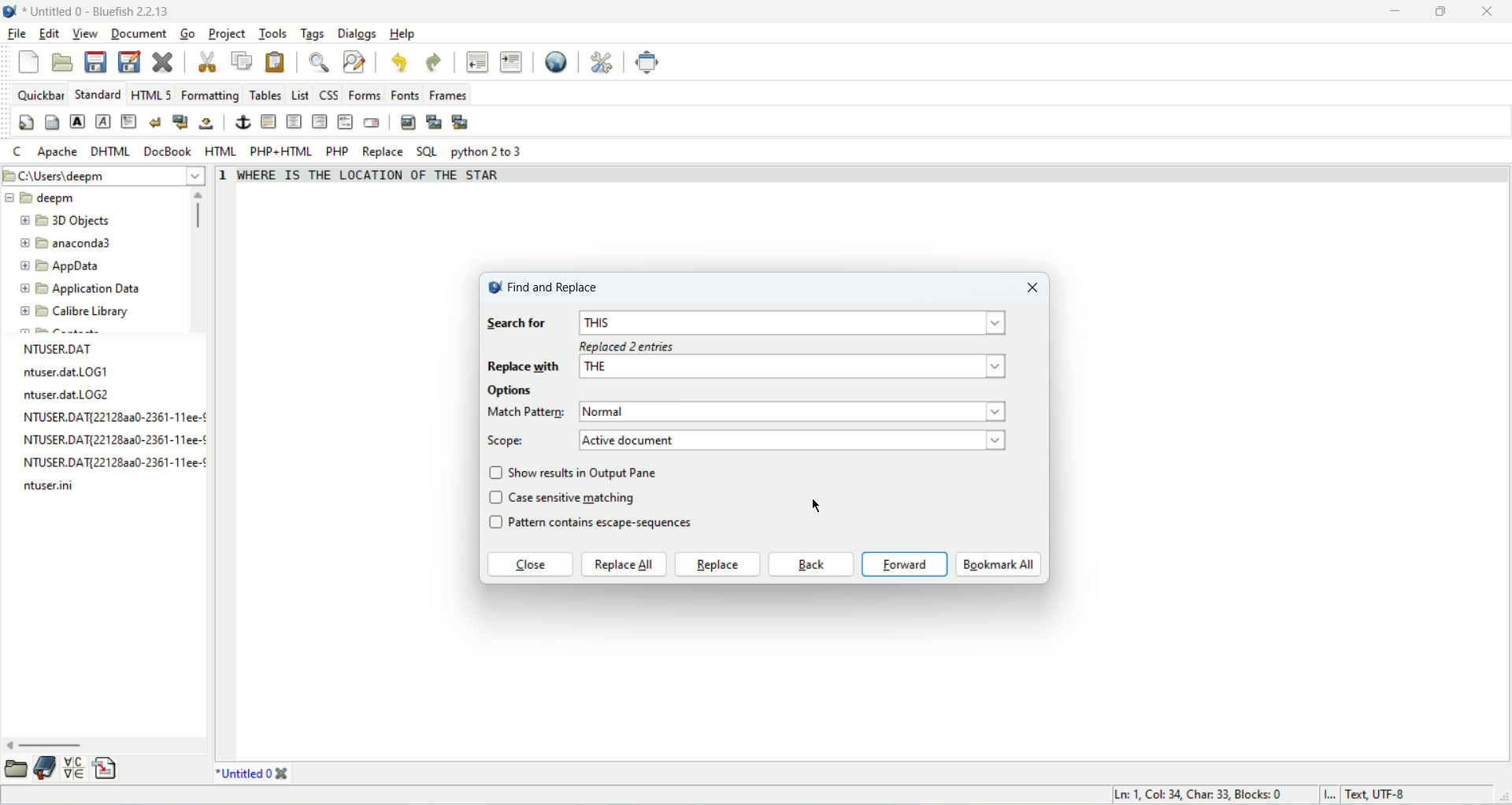 This screenshot has height=805, width=1512. Describe the element at coordinates (80, 289) in the screenshot. I see `Application Data` at that location.